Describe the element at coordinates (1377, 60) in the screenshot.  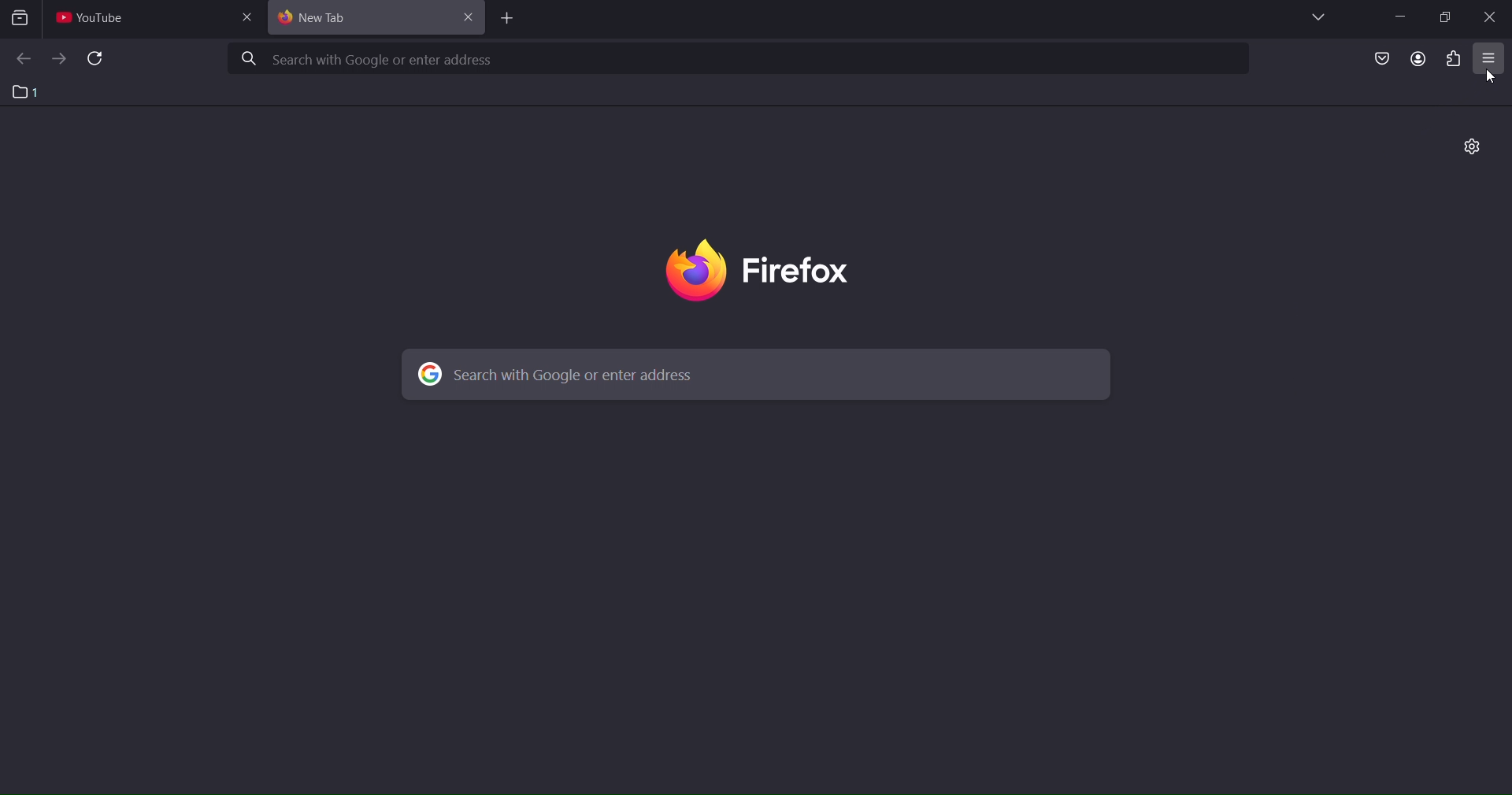
I see `save as pocket` at that location.